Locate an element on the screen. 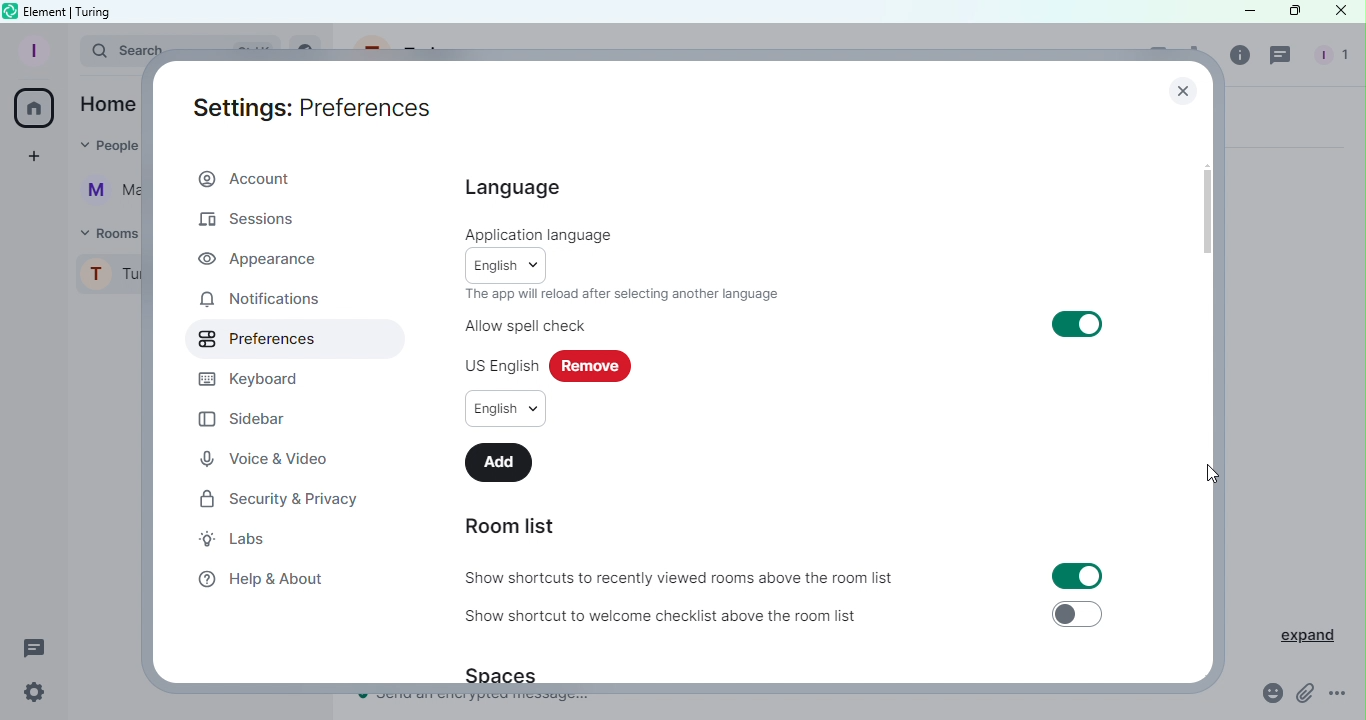  Scroll bar is located at coordinates (1210, 375).